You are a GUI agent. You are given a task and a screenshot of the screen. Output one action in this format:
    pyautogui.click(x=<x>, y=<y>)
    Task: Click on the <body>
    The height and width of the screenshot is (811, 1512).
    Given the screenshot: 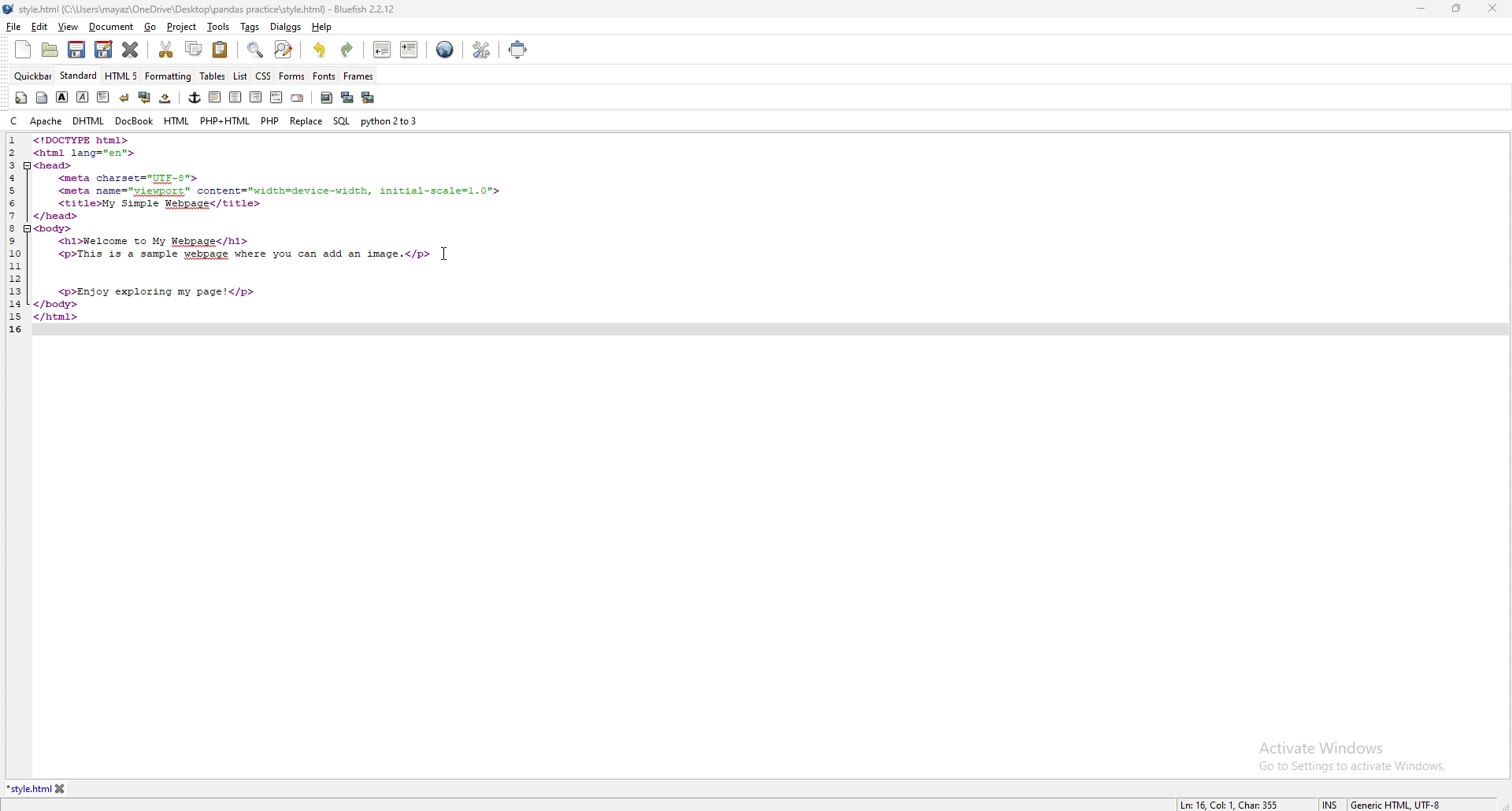 What is the action you would take?
    pyautogui.click(x=55, y=229)
    